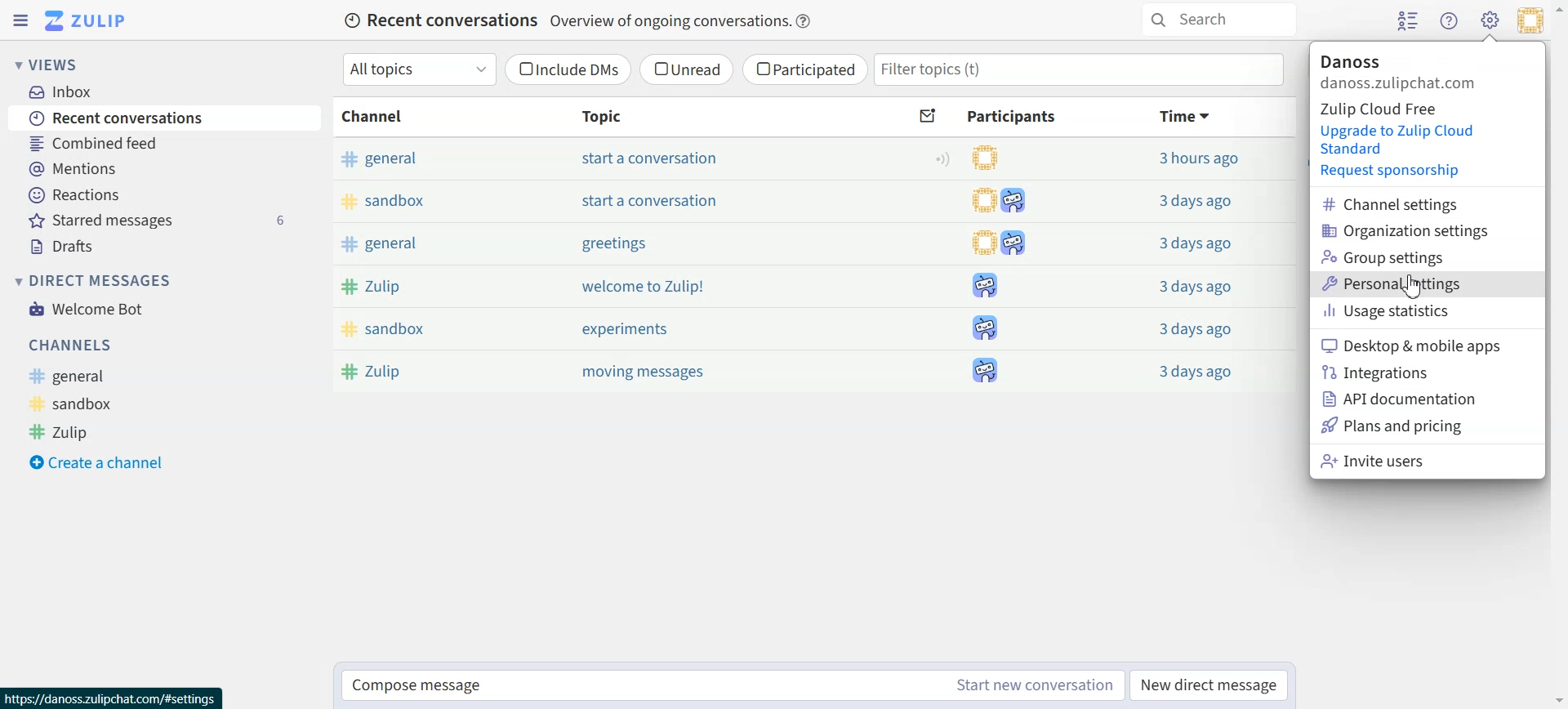 Image resolution: width=1568 pixels, height=709 pixels. I want to click on Help menu, so click(1450, 20).